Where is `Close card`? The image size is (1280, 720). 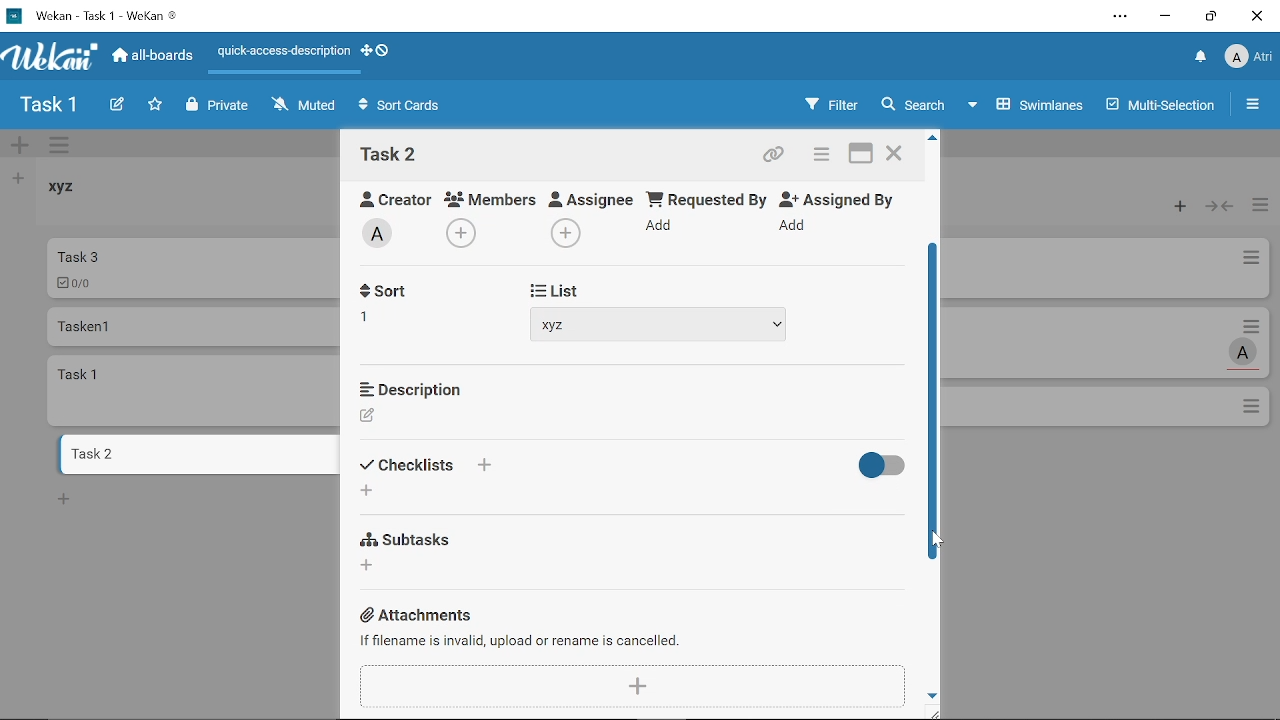 Close card is located at coordinates (896, 156).